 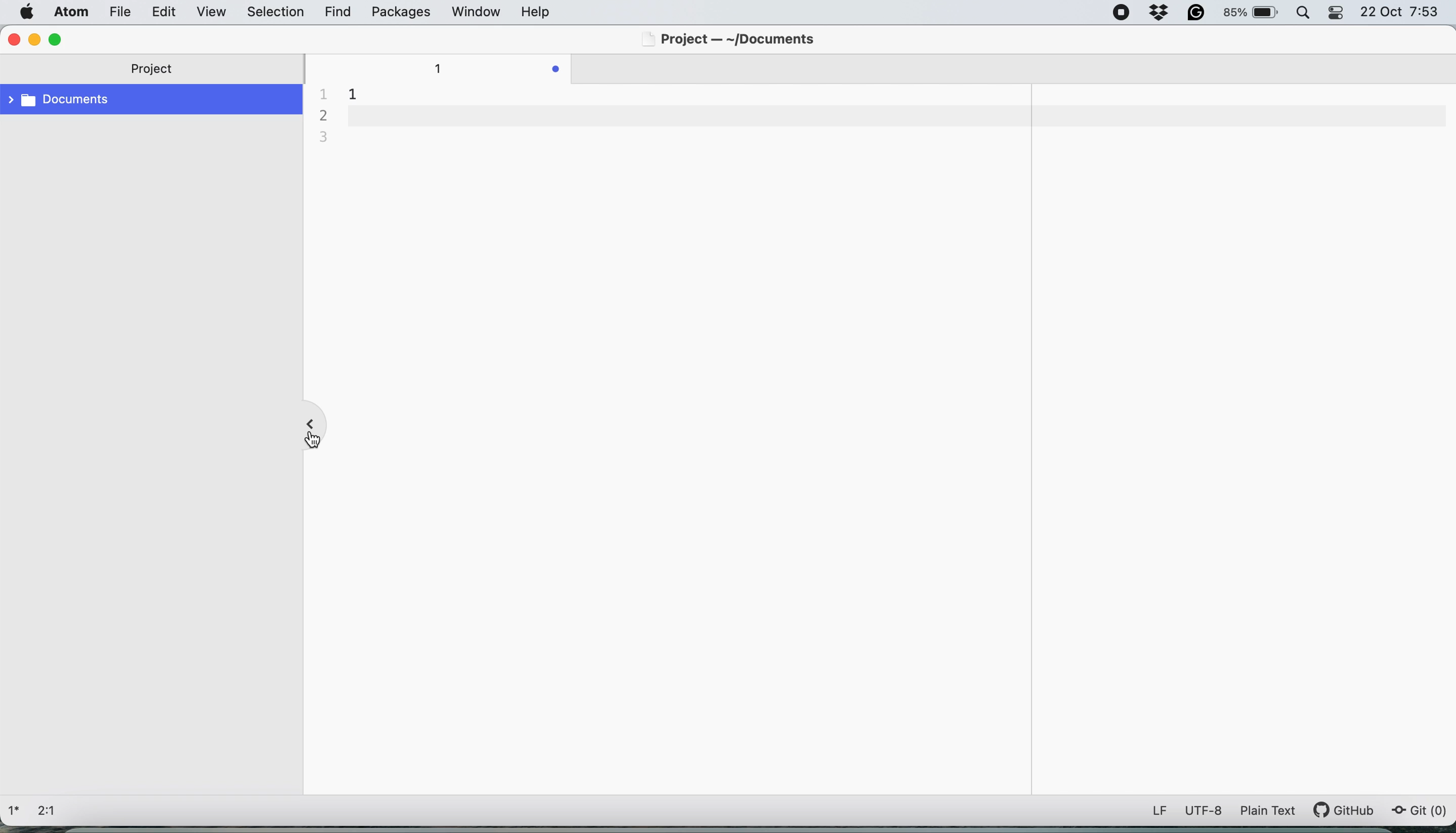 What do you see at coordinates (35, 39) in the screenshot?
I see `minimise` at bounding box center [35, 39].